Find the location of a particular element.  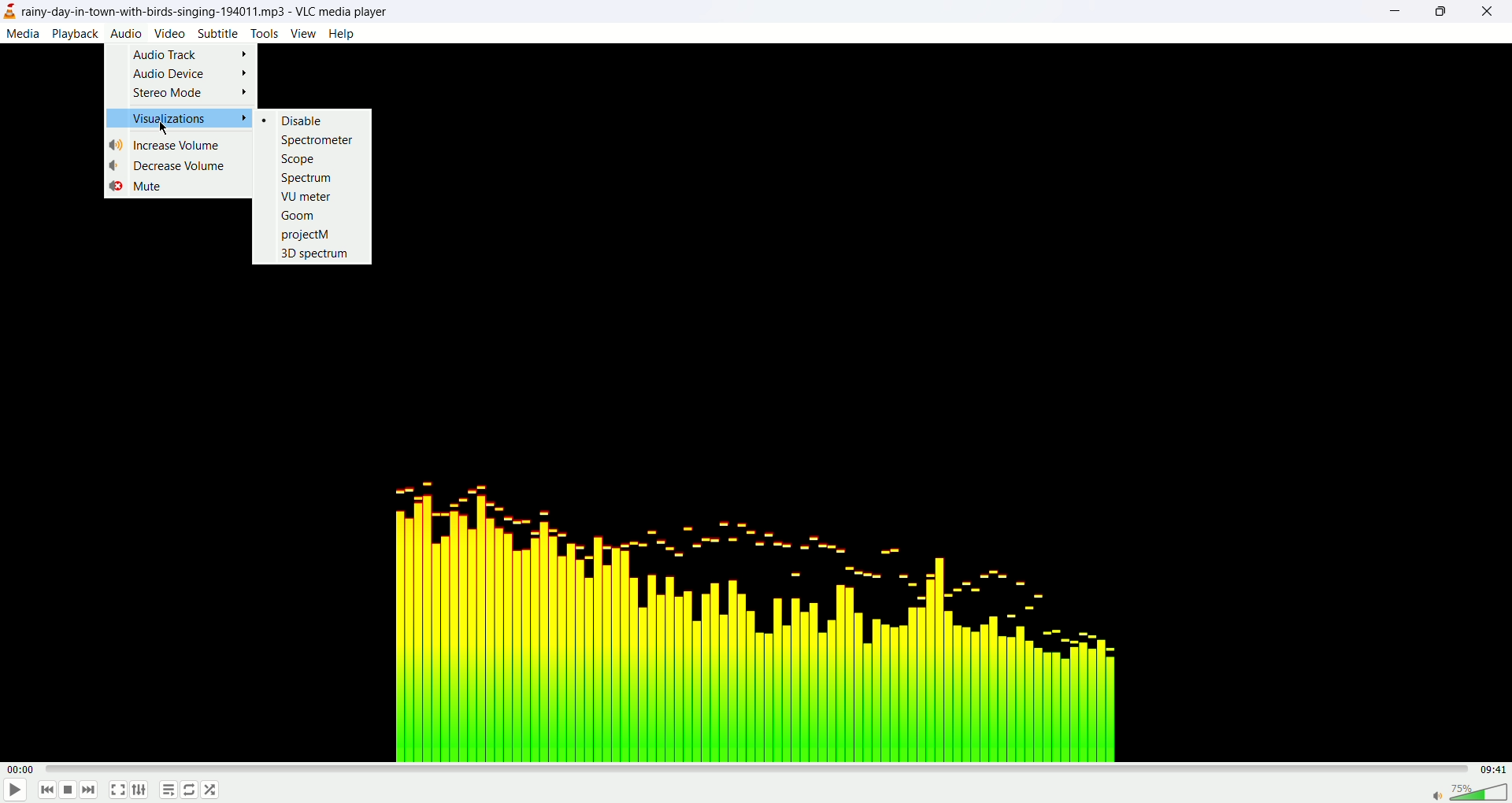

audio track is located at coordinates (190, 52).